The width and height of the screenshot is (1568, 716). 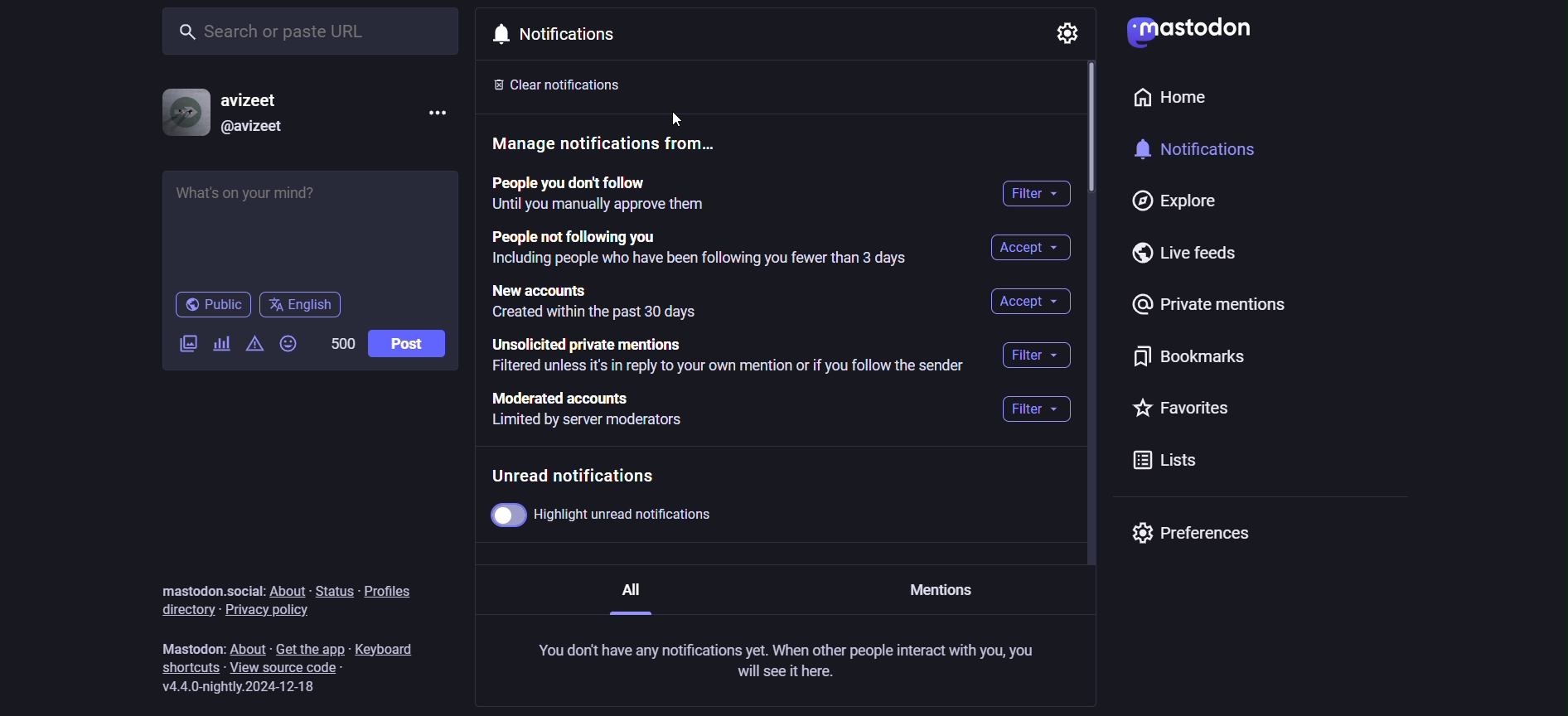 What do you see at coordinates (339, 342) in the screenshot?
I see `word limit` at bounding box center [339, 342].